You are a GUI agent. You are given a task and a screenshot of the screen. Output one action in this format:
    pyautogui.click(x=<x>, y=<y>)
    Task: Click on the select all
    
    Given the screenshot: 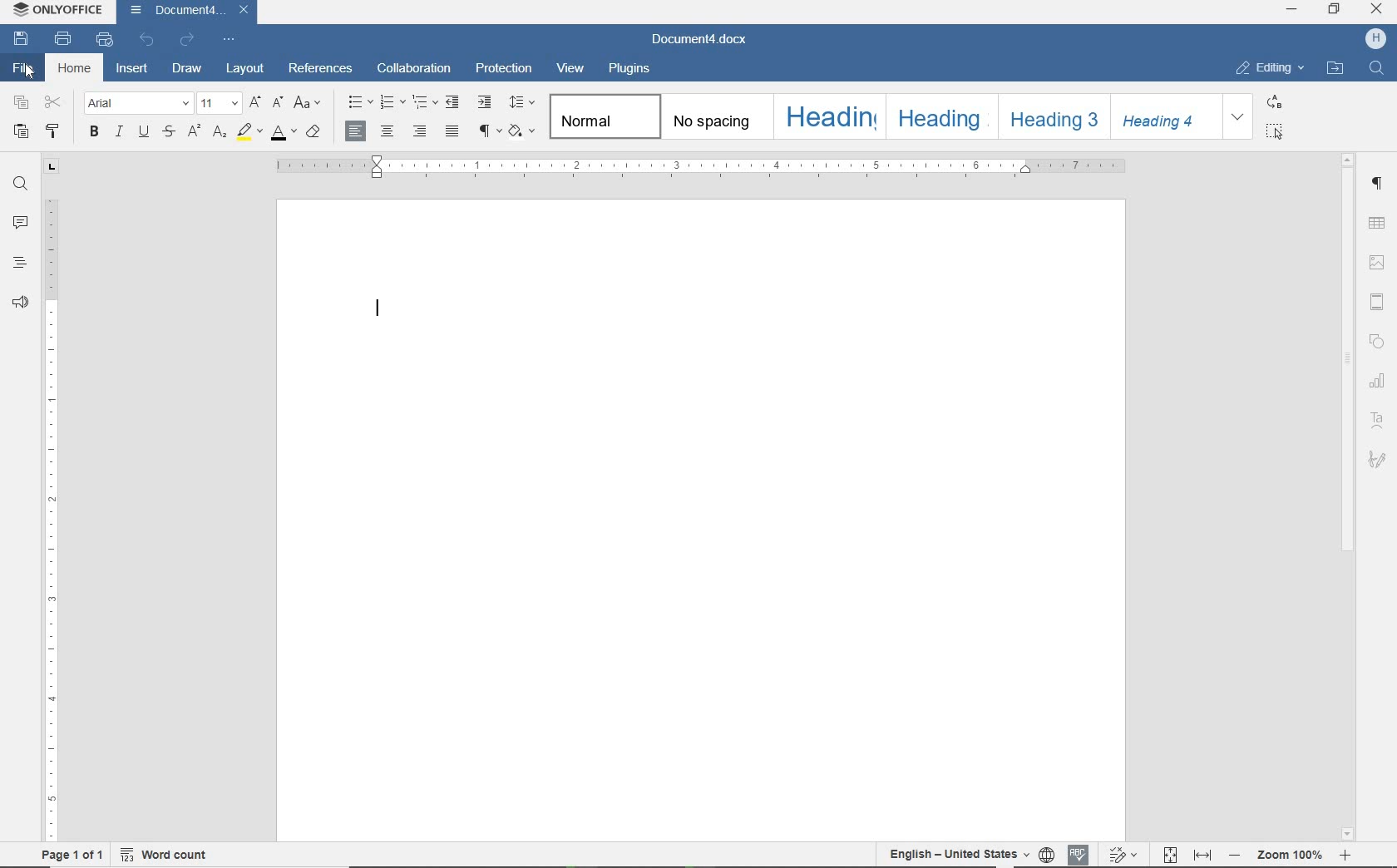 What is the action you would take?
    pyautogui.click(x=1275, y=131)
    